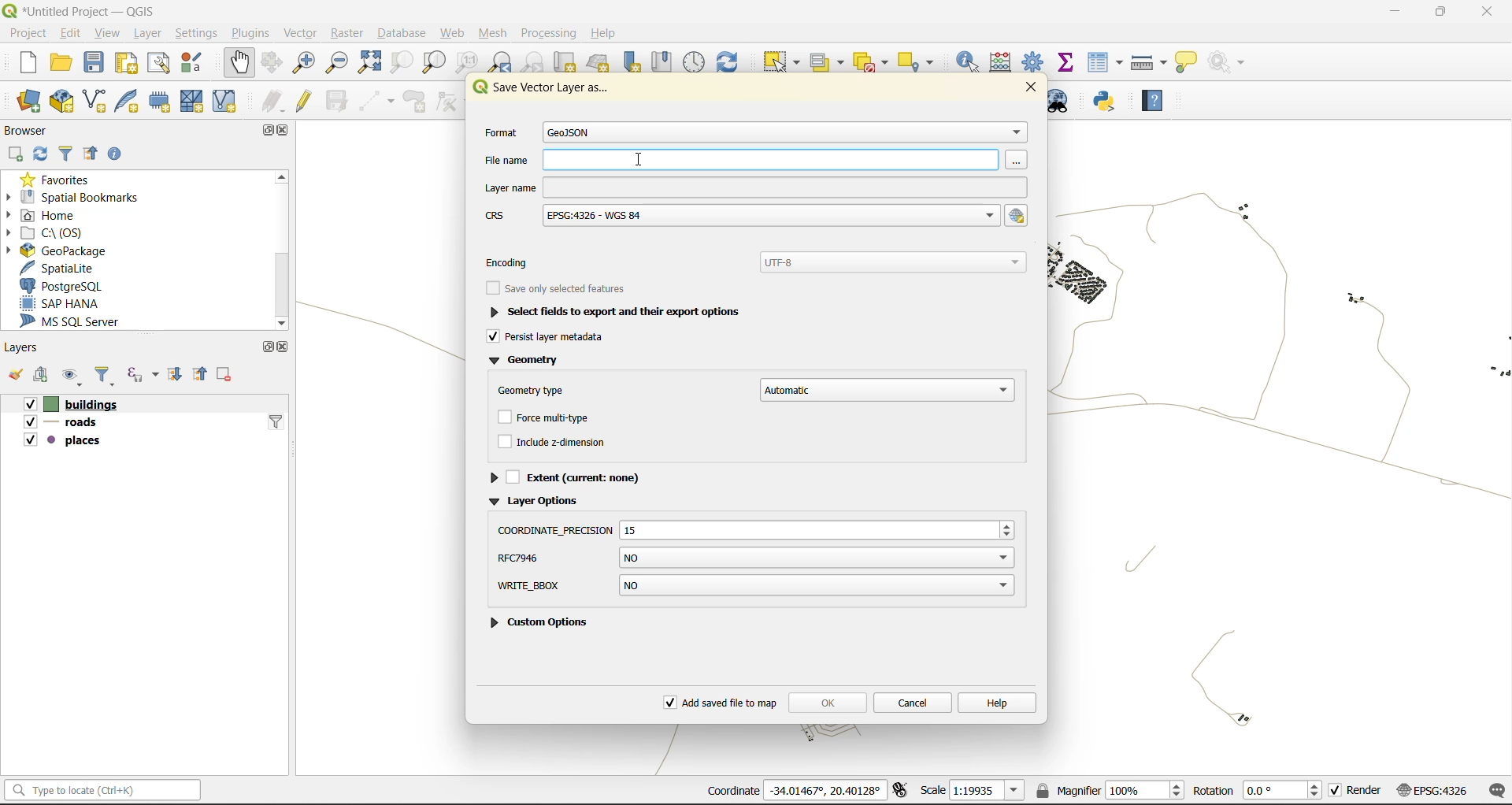 The image size is (1512, 805). I want to click on coordinates, so click(799, 792).